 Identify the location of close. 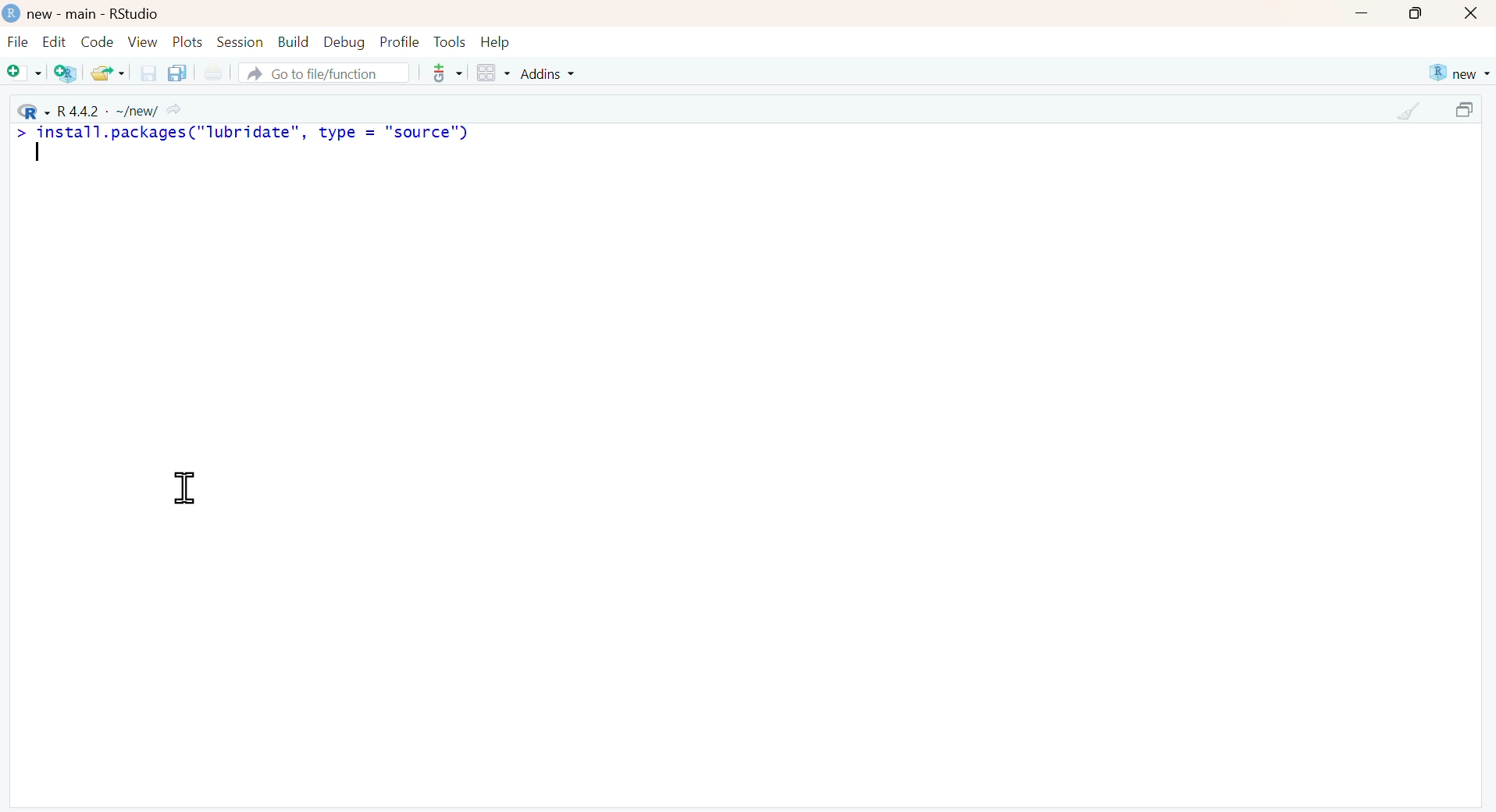
(1473, 14).